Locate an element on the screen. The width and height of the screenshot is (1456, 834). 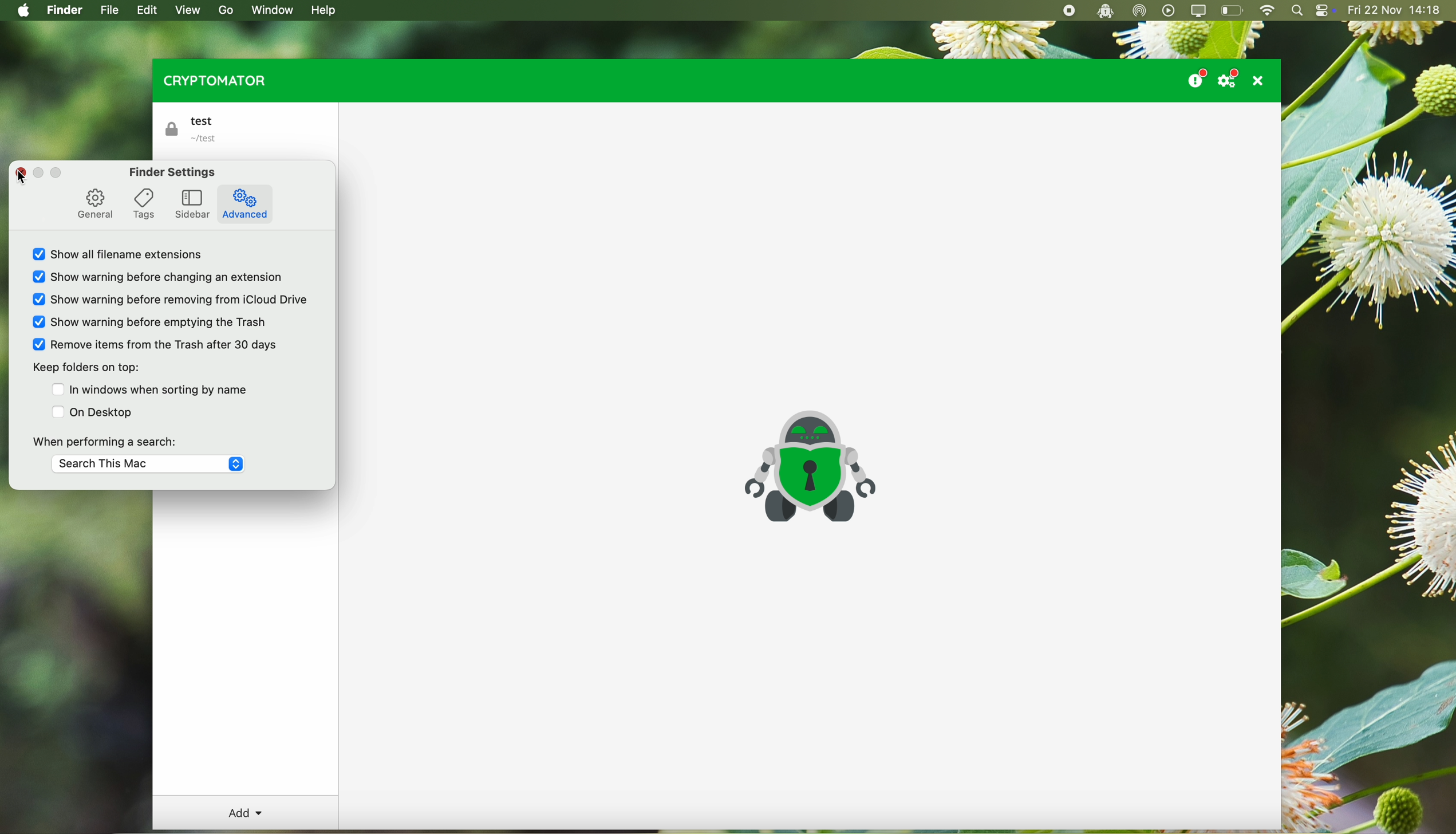
disable buttons is located at coordinates (49, 174).